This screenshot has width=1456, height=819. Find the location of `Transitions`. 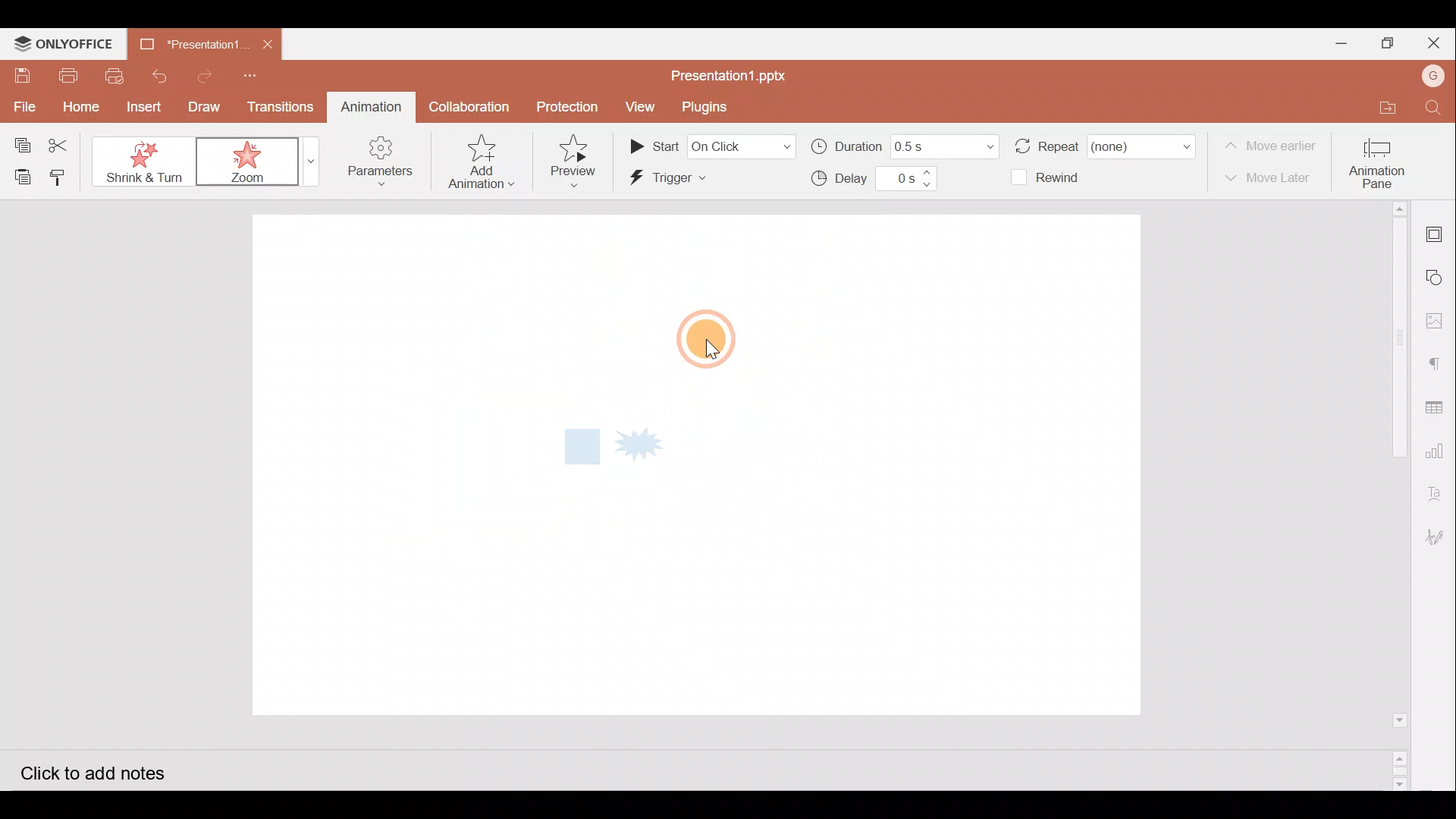

Transitions is located at coordinates (281, 106).